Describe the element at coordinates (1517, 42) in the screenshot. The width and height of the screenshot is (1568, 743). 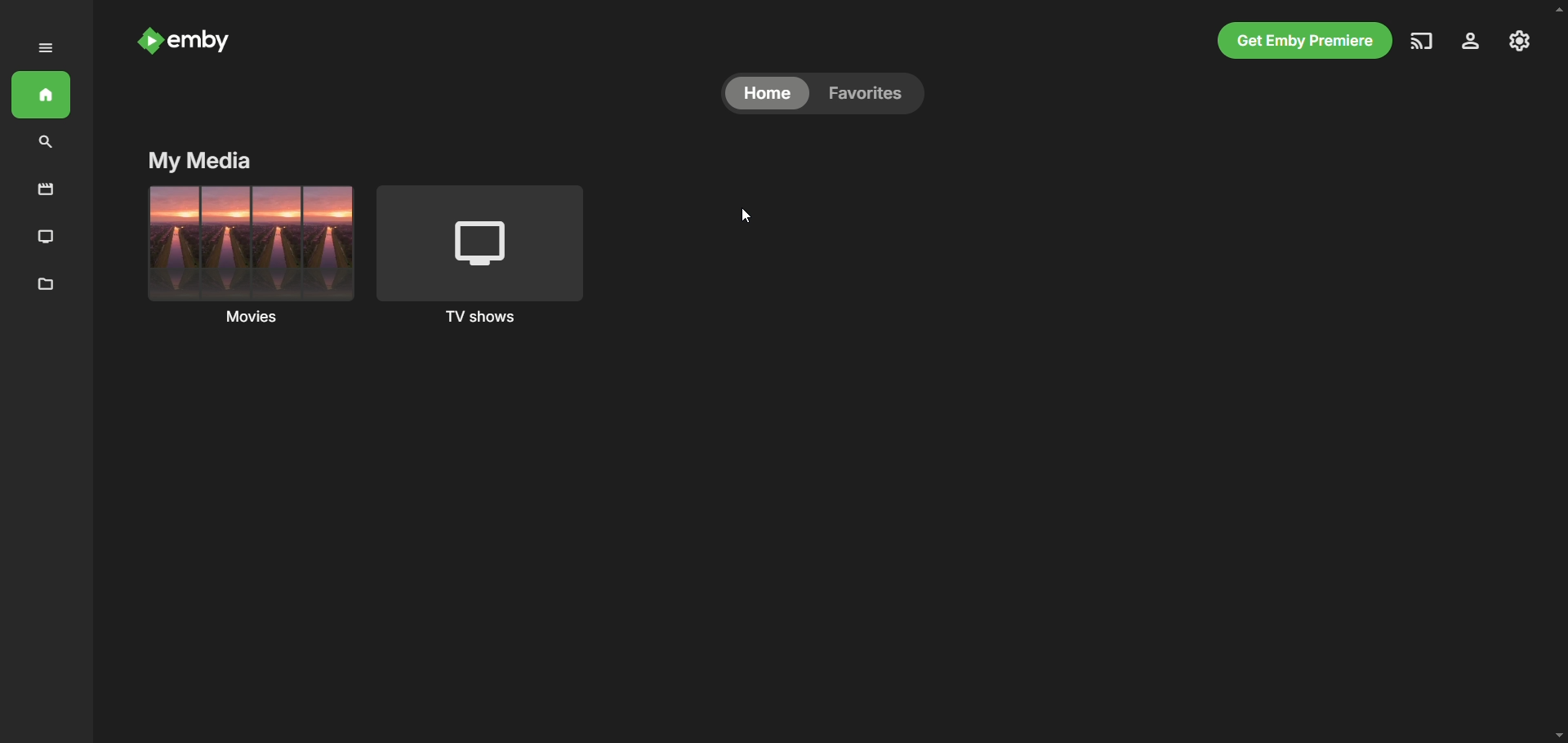
I see `setting` at that location.